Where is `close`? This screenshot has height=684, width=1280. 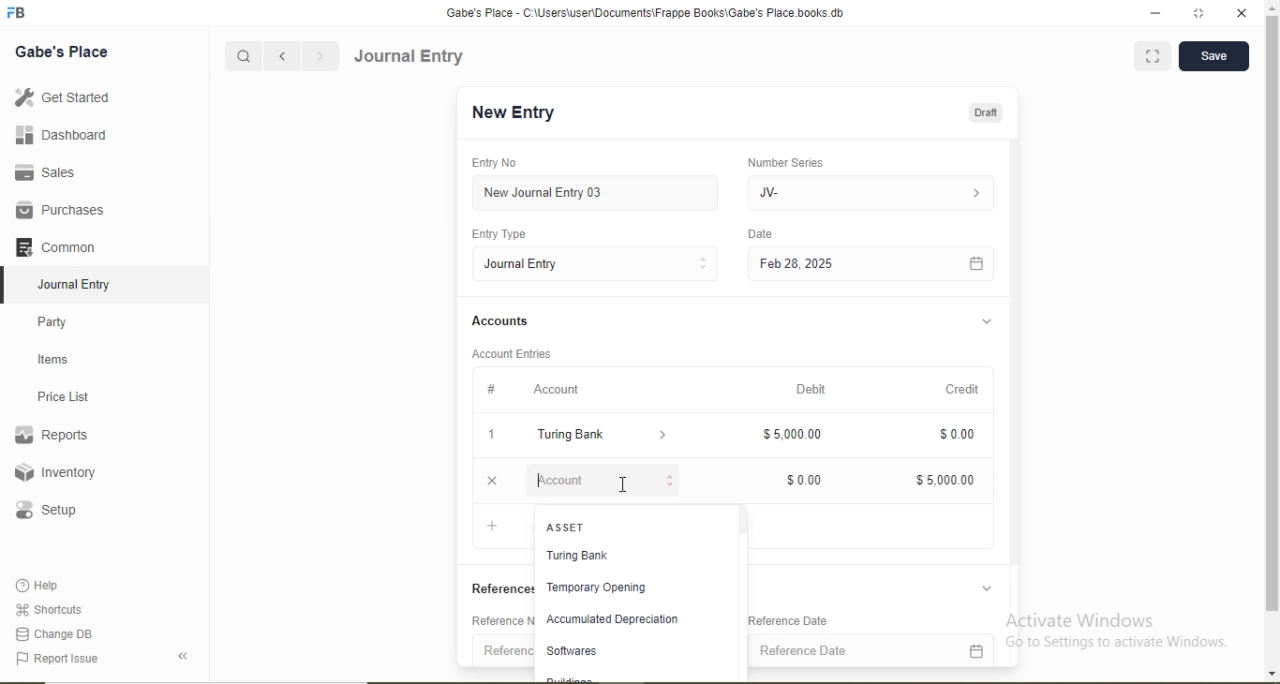 close is located at coordinates (1243, 13).